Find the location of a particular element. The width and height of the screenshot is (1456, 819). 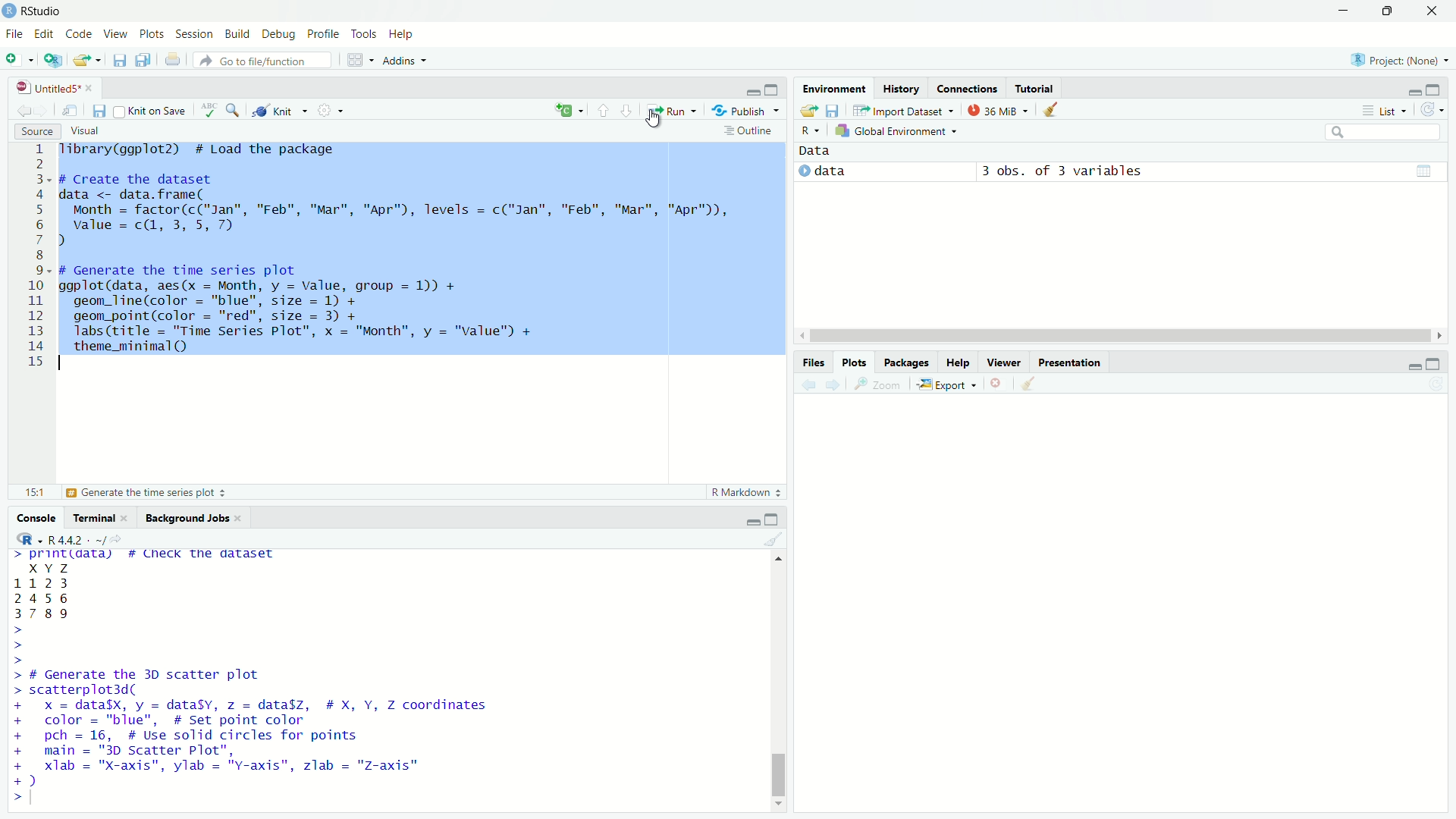

minimize is located at coordinates (748, 519).